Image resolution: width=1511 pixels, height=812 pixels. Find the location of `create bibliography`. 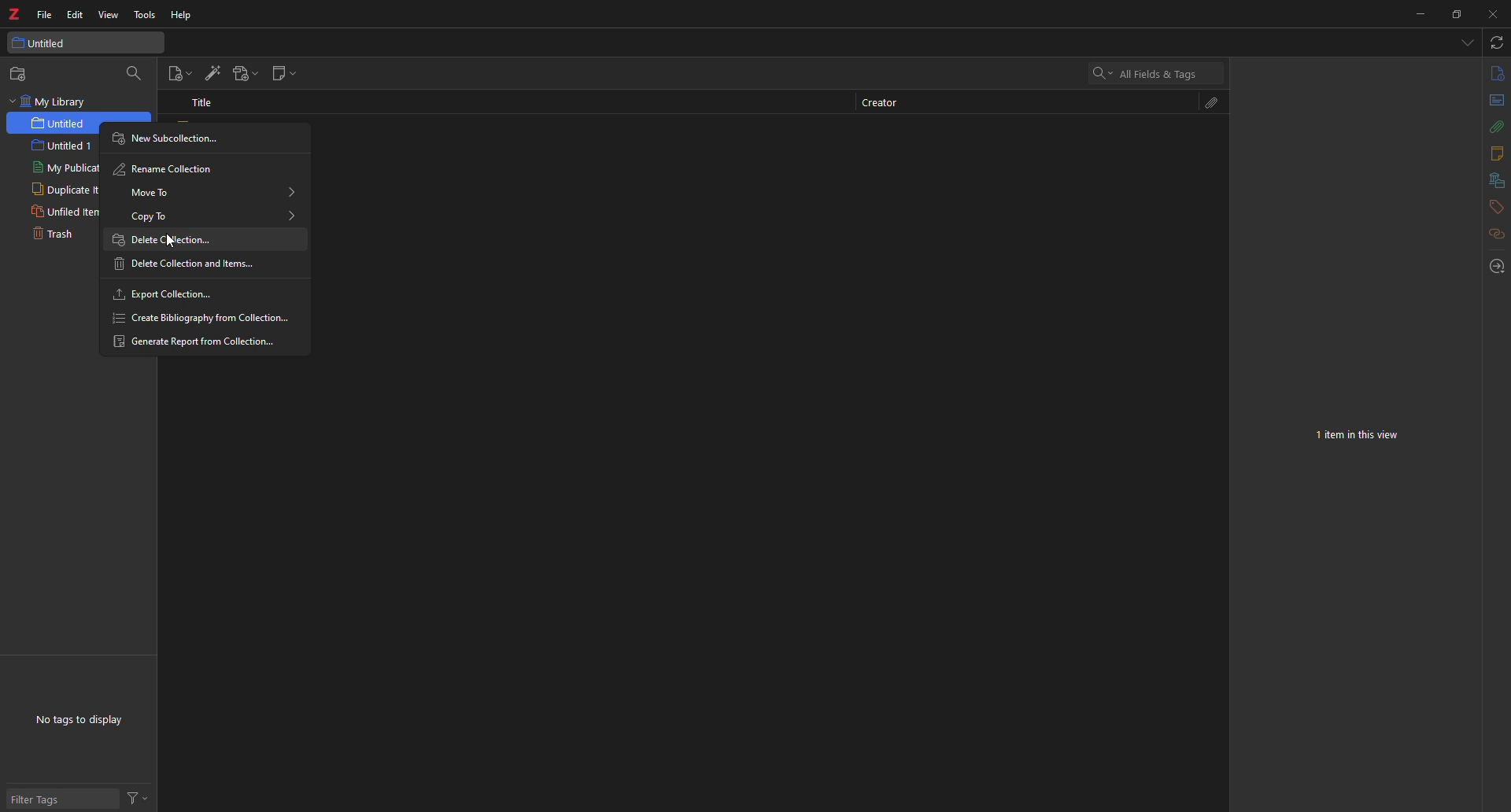

create bibliography is located at coordinates (198, 318).